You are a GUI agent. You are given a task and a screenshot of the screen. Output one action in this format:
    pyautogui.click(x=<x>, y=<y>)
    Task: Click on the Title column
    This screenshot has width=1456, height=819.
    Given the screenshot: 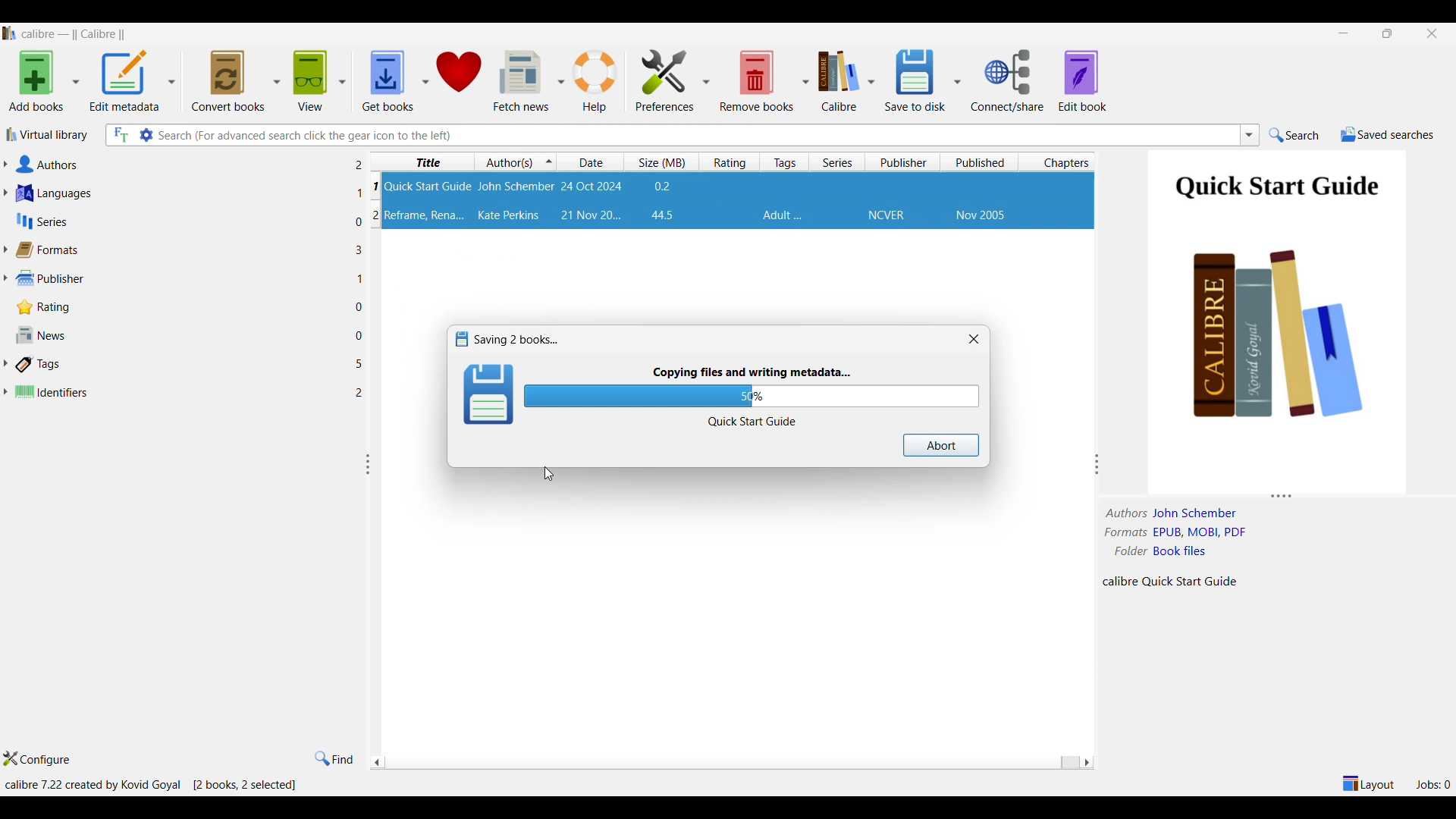 What is the action you would take?
    pyautogui.click(x=427, y=162)
    